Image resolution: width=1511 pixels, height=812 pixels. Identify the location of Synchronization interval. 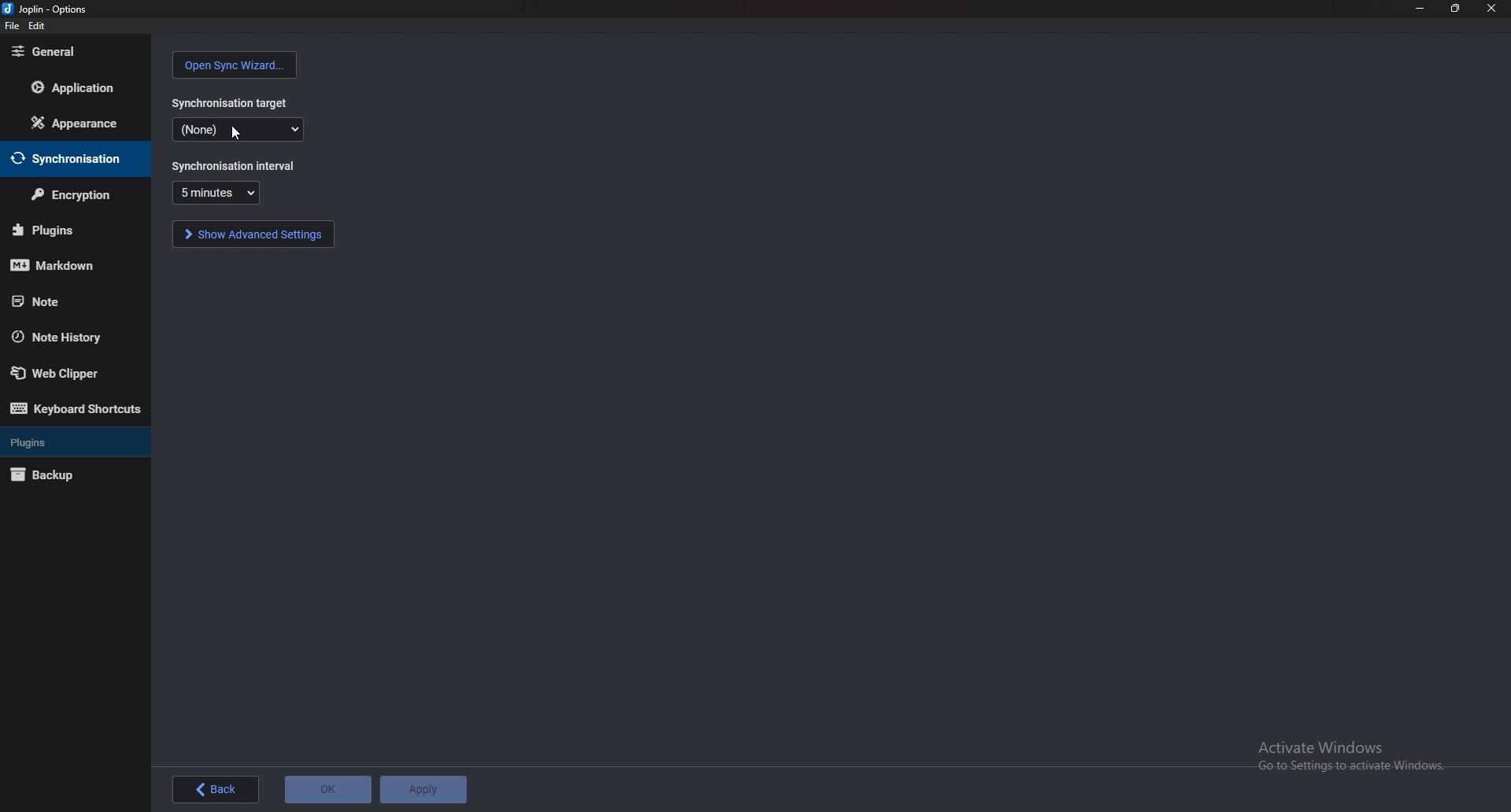
(236, 165).